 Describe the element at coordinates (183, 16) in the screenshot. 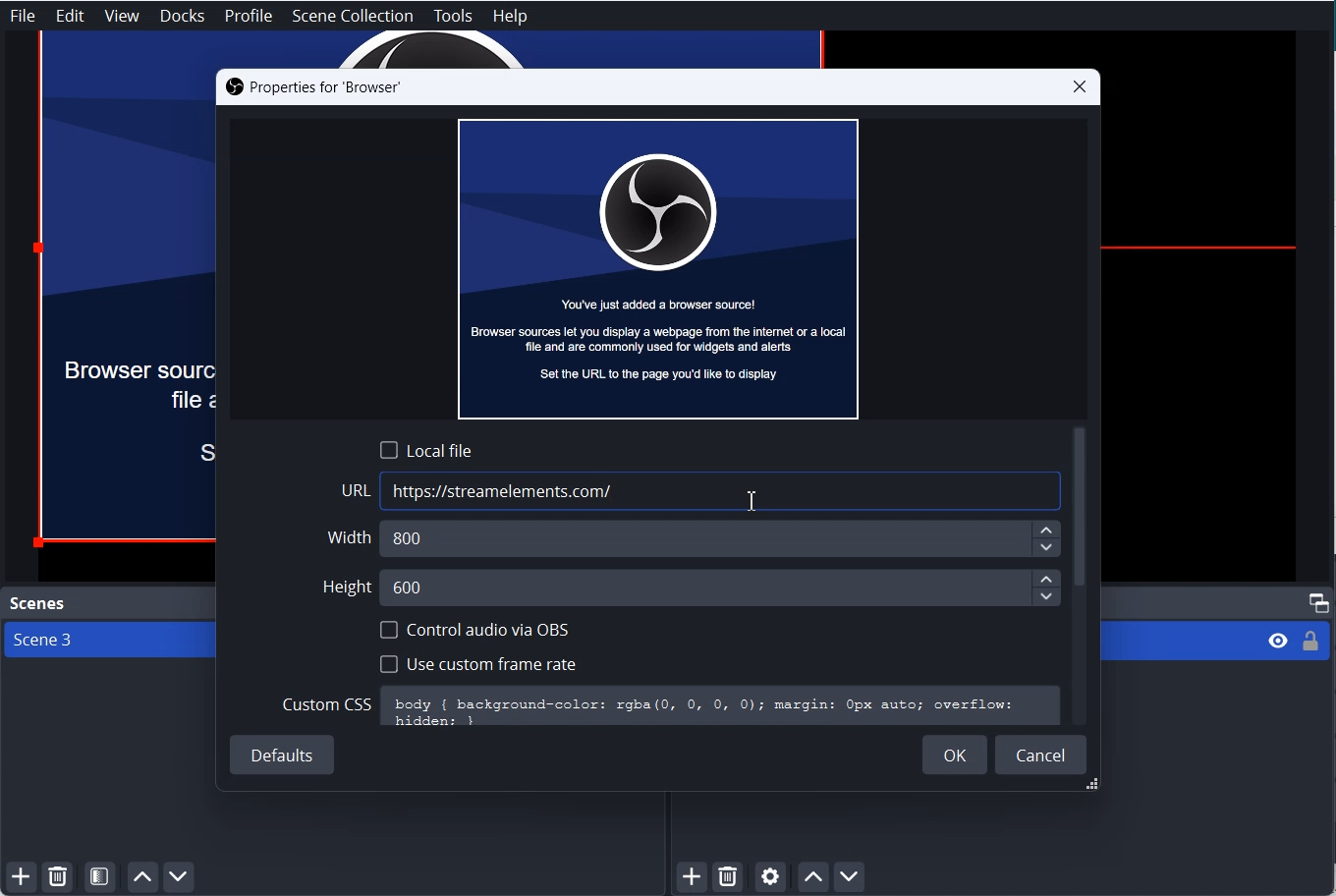

I see `Docks` at that location.